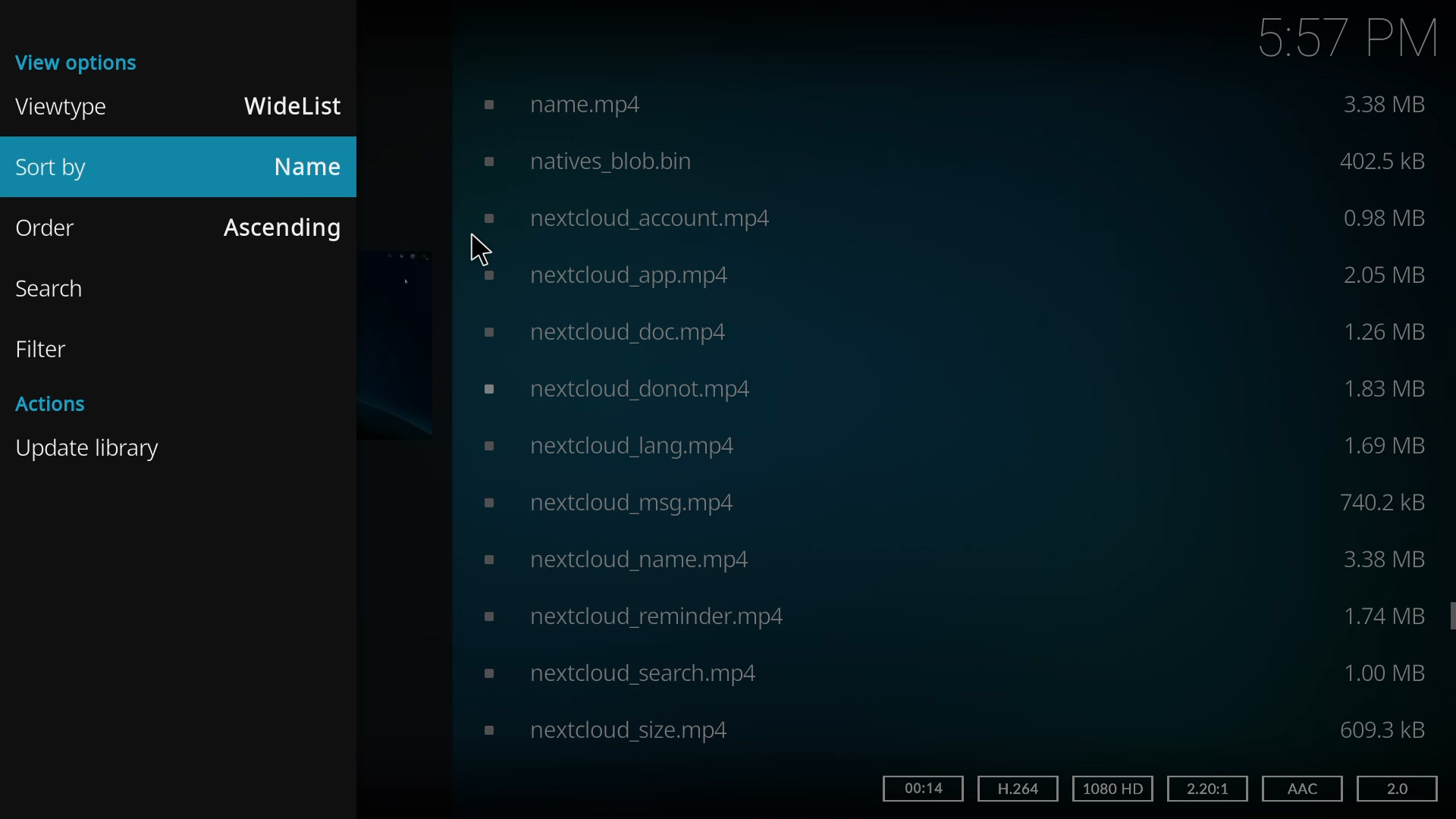  Describe the element at coordinates (280, 225) in the screenshot. I see `desceding` at that location.